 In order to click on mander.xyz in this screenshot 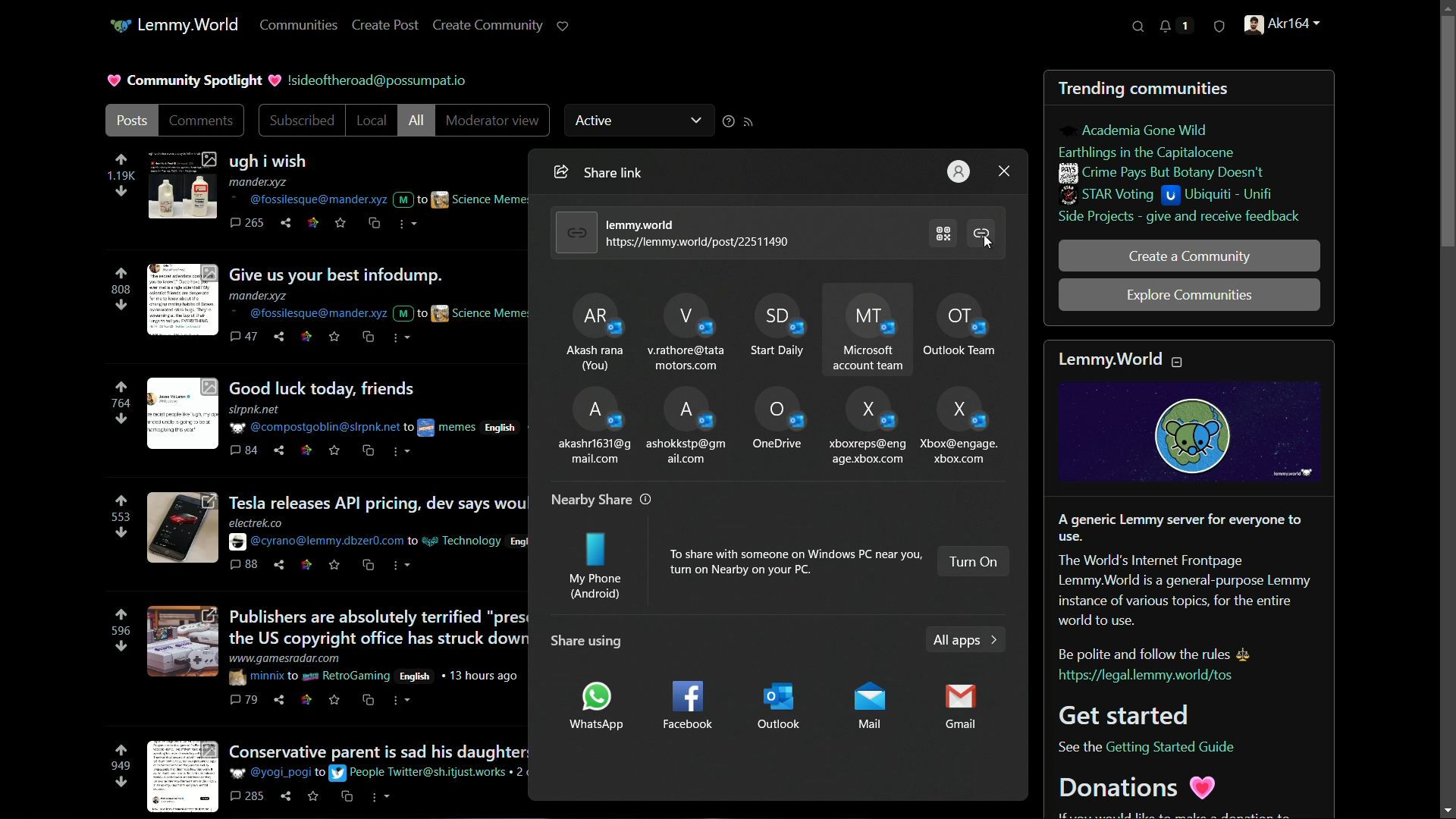, I will do `click(260, 296)`.